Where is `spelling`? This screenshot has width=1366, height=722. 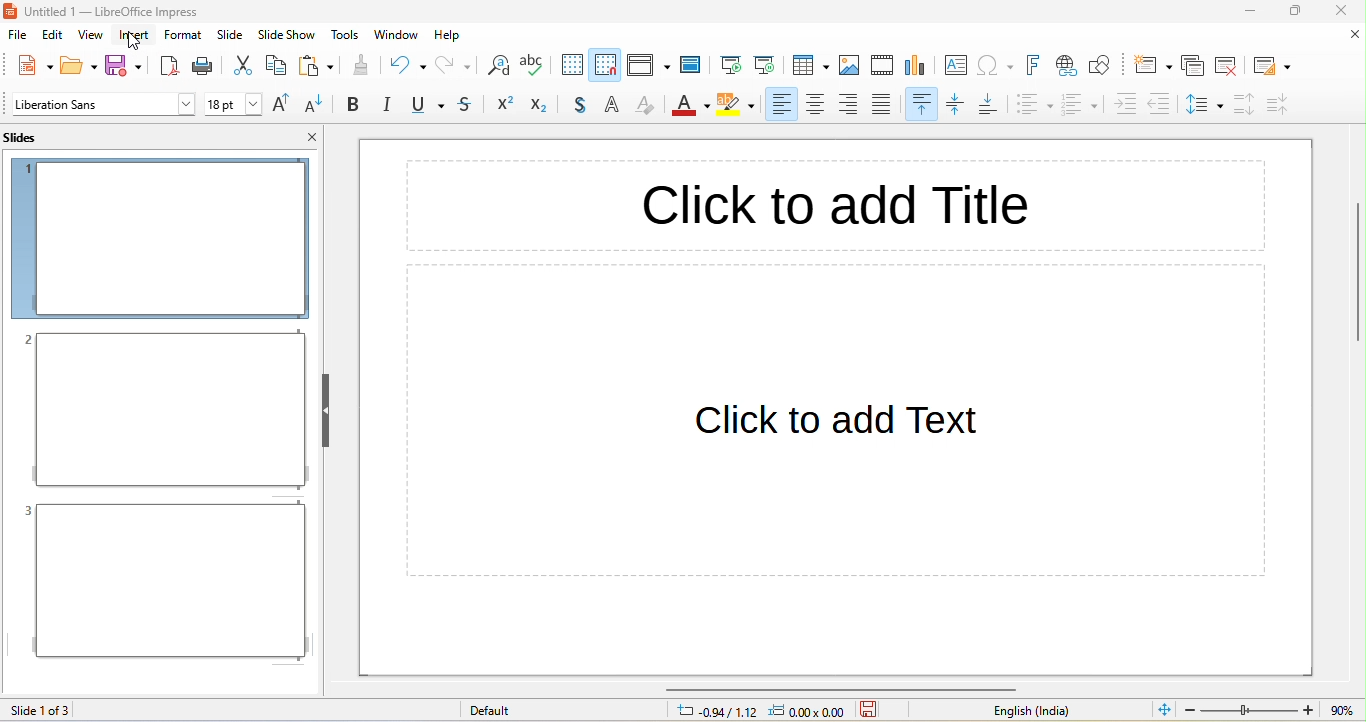 spelling is located at coordinates (534, 67).